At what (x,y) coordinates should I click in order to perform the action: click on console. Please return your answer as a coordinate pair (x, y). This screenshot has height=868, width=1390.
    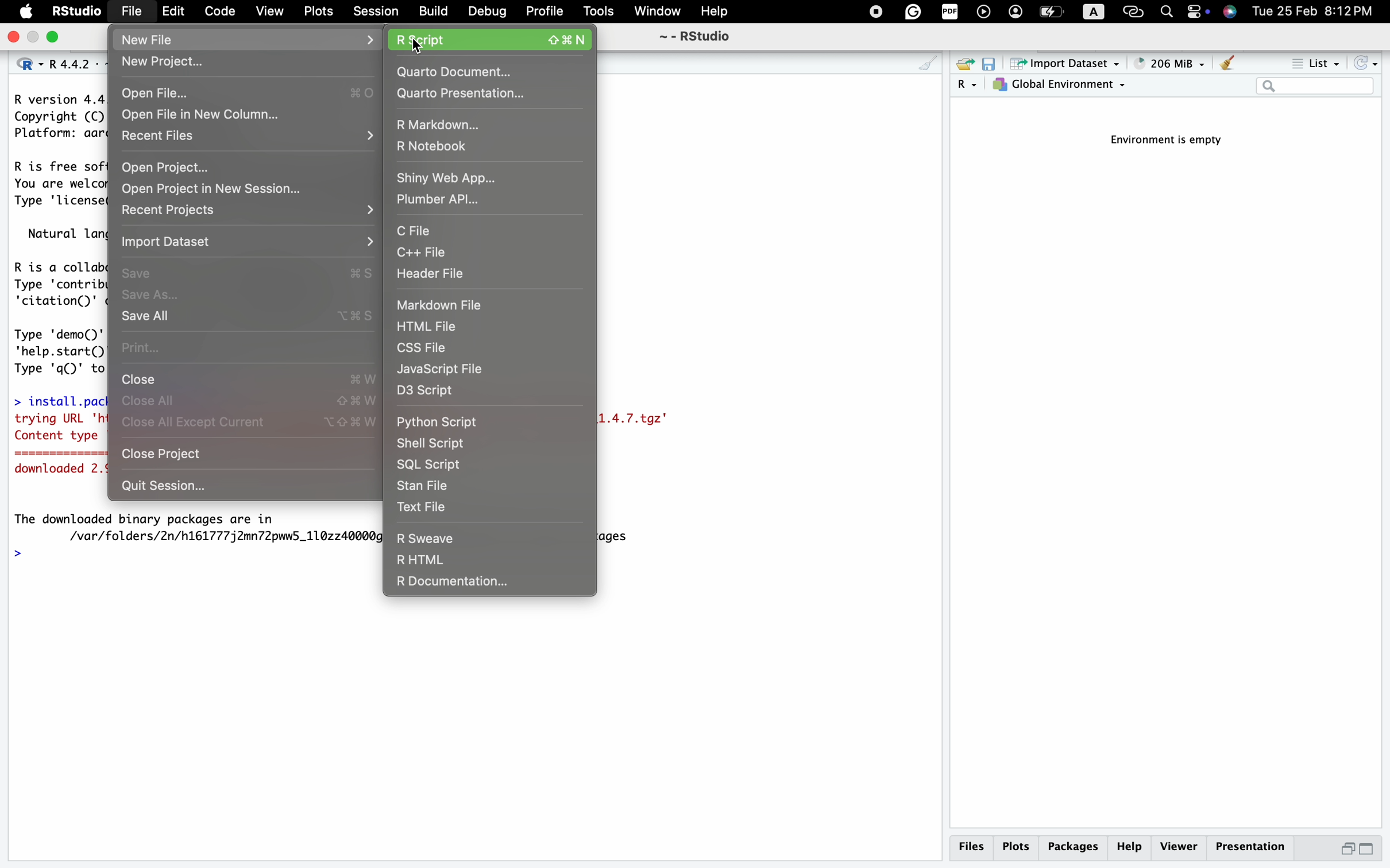
    Looking at the image, I should click on (927, 64).